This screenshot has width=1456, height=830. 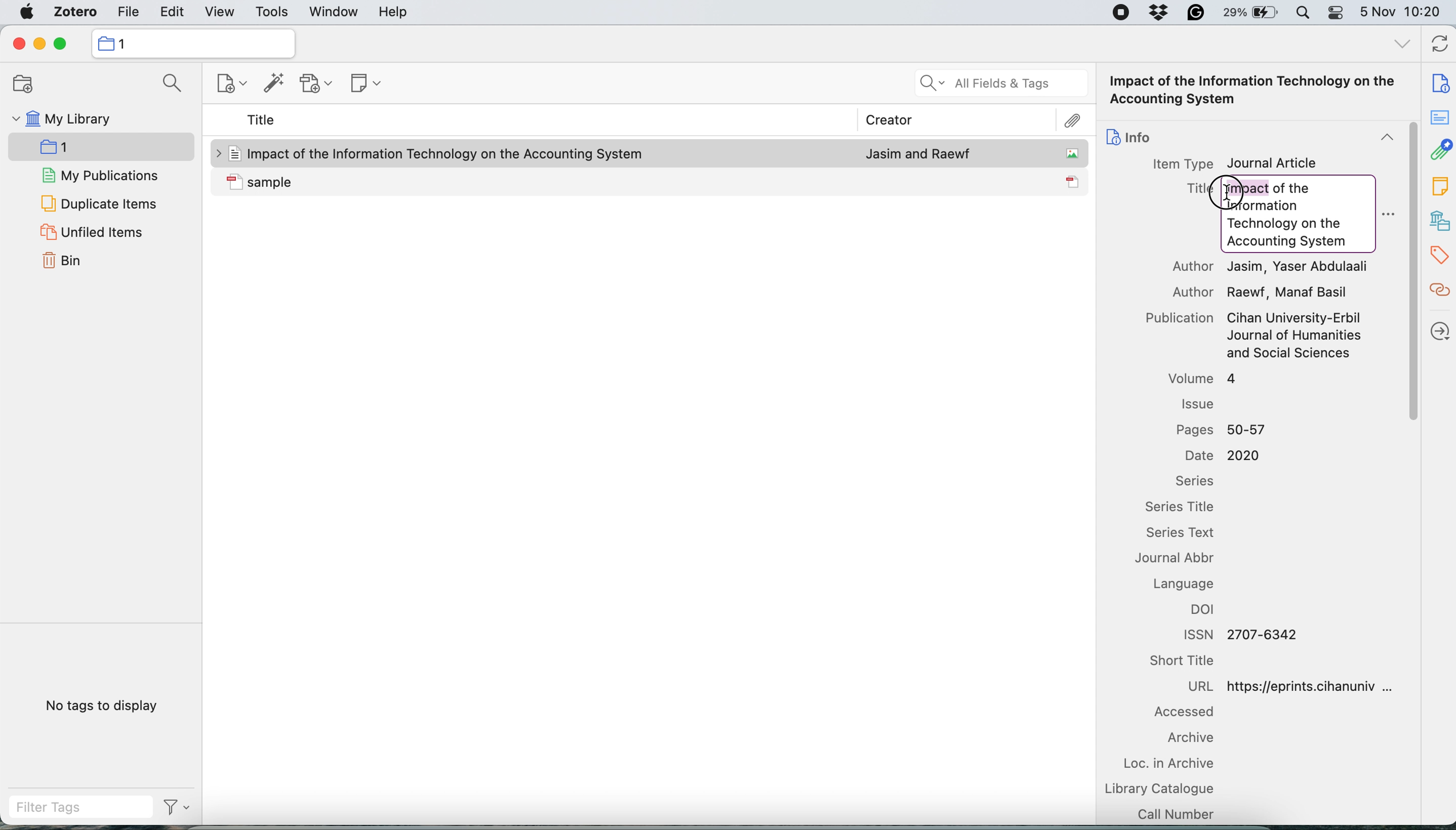 I want to click on sample, so click(x=448, y=181).